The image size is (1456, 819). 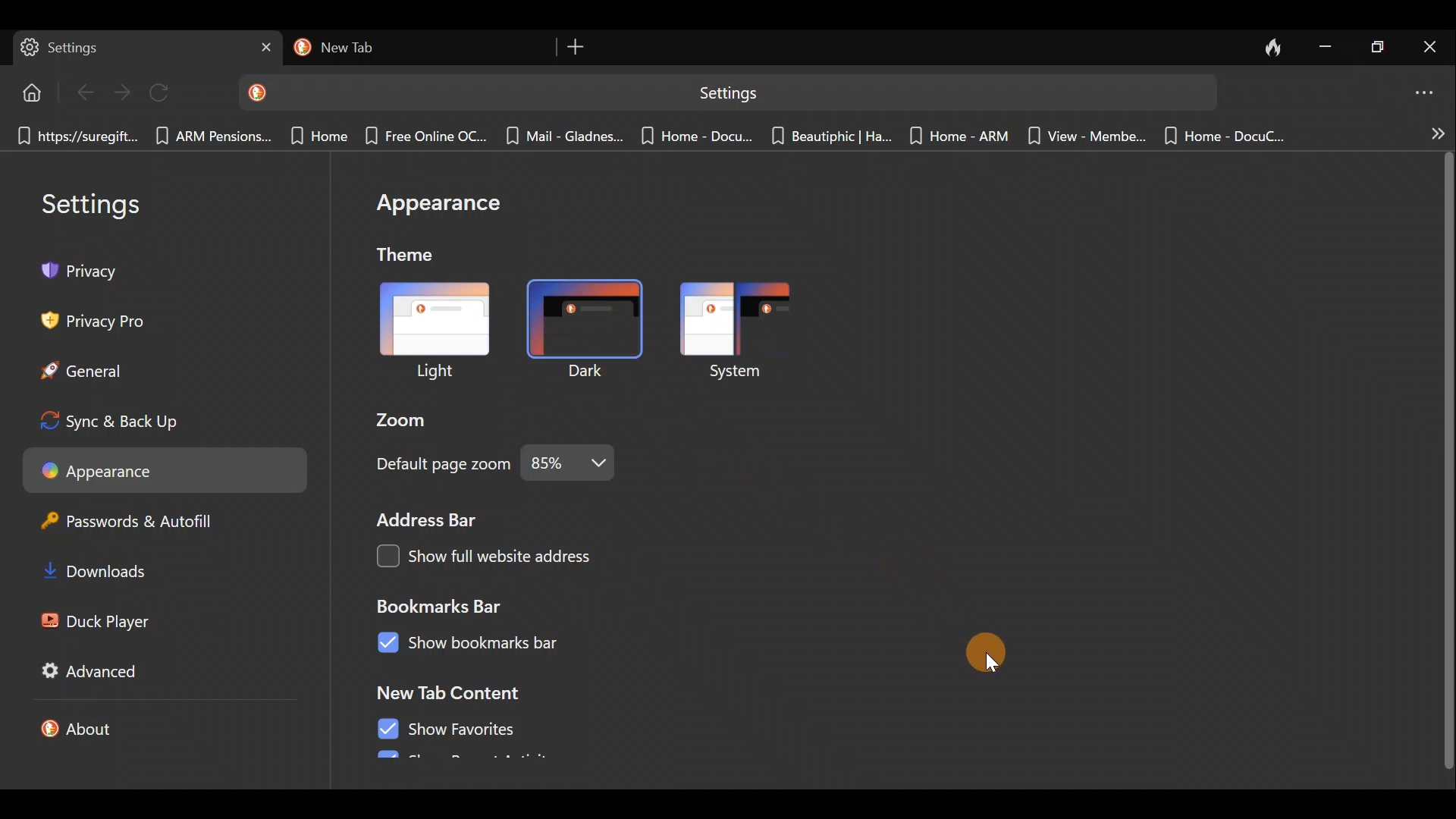 What do you see at coordinates (88, 270) in the screenshot?
I see `Privacy` at bounding box center [88, 270].